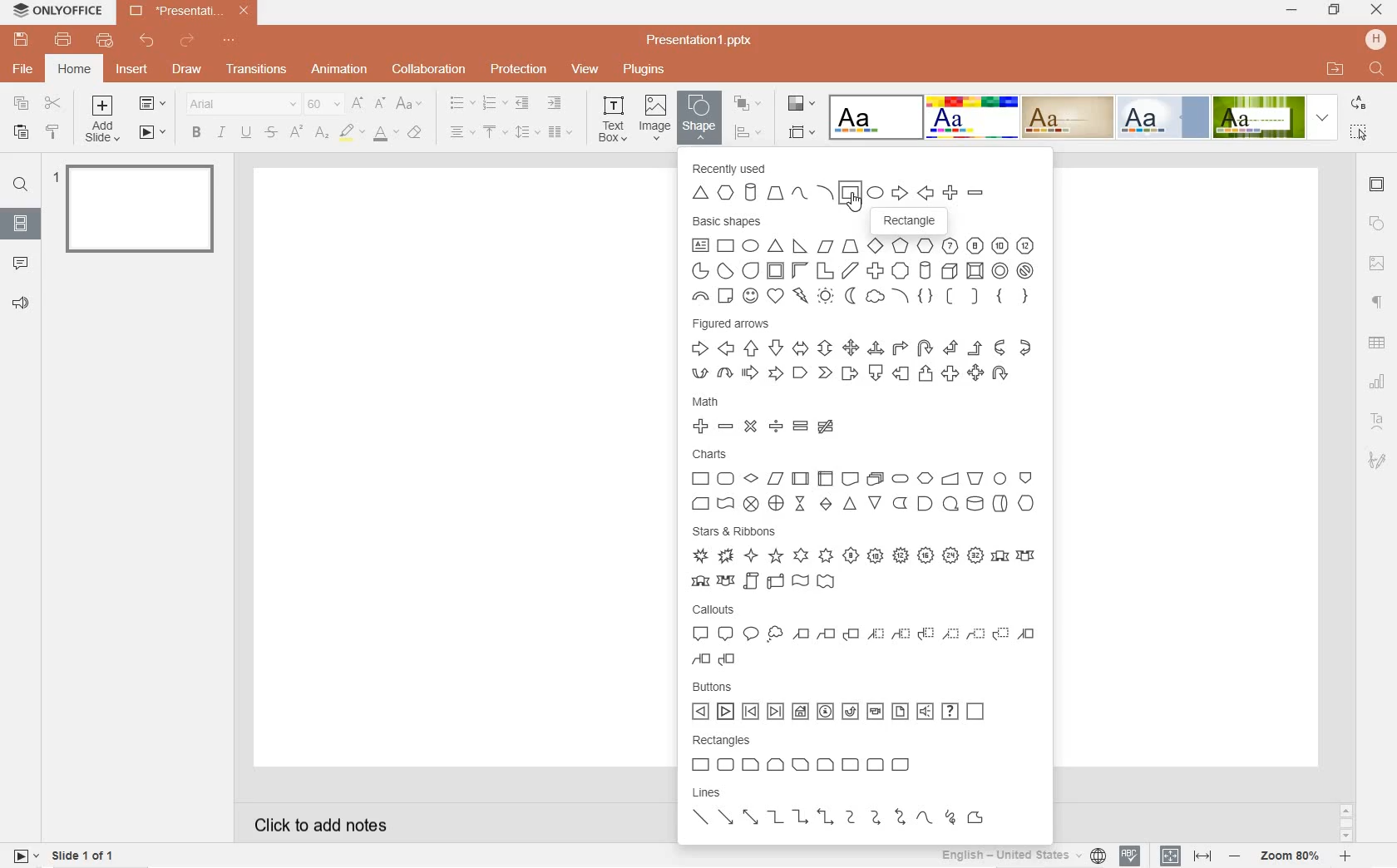 This screenshot has width=1397, height=868. What do you see at coordinates (74, 69) in the screenshot?
I see `home` at bounding box center [74, 69].